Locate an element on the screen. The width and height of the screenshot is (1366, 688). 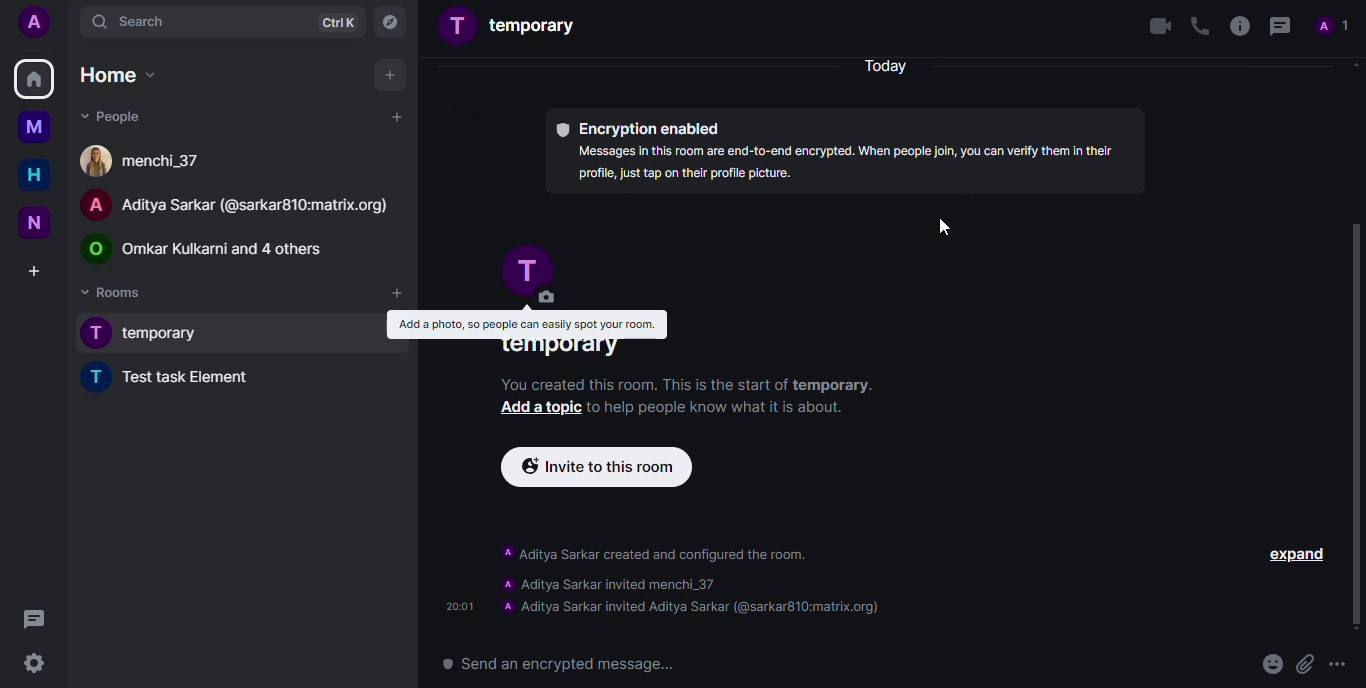
expand is located at coordinates (1299, 551).